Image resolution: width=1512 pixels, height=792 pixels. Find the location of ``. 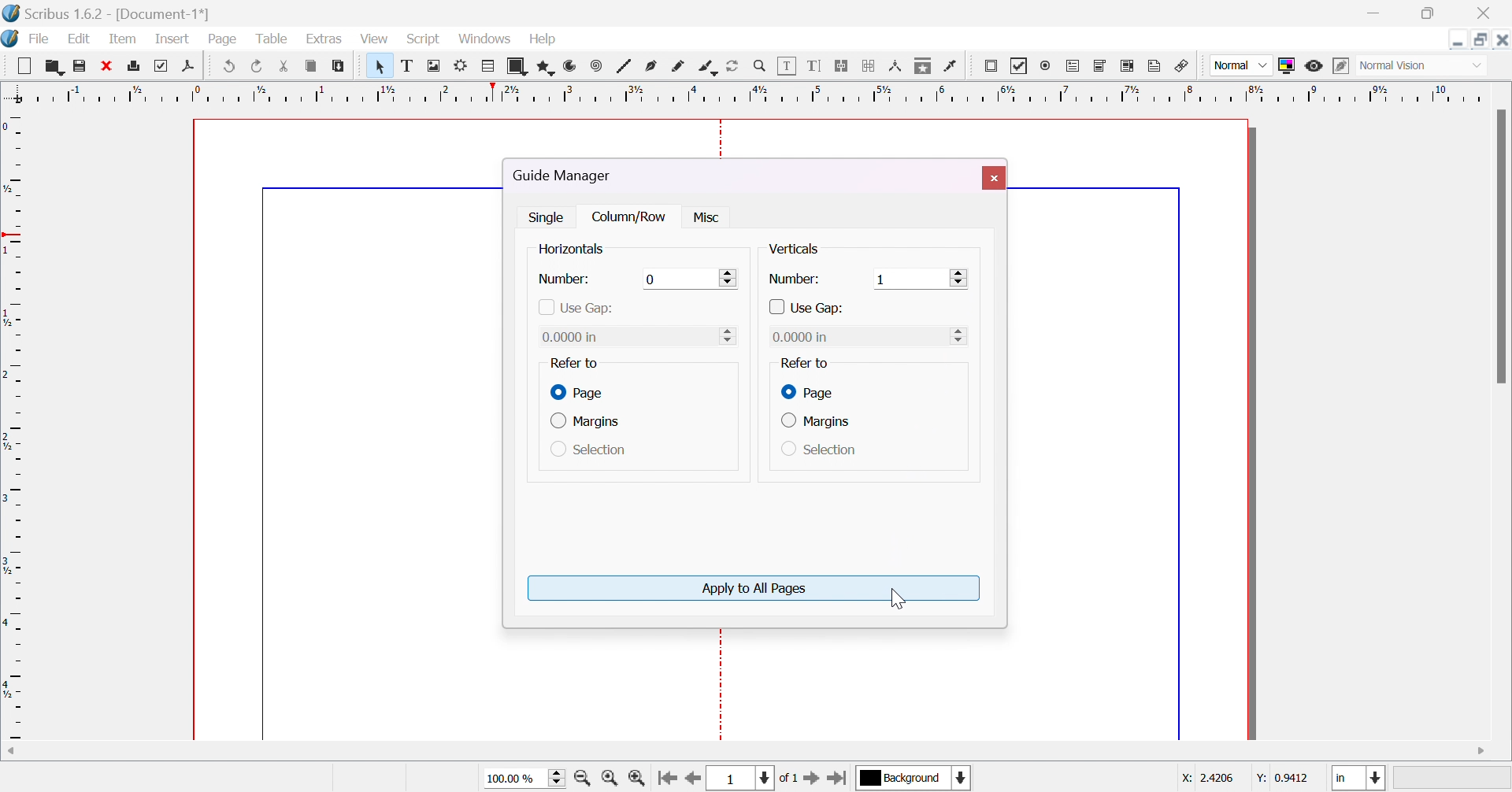

 is located at coordinates (28, 65).